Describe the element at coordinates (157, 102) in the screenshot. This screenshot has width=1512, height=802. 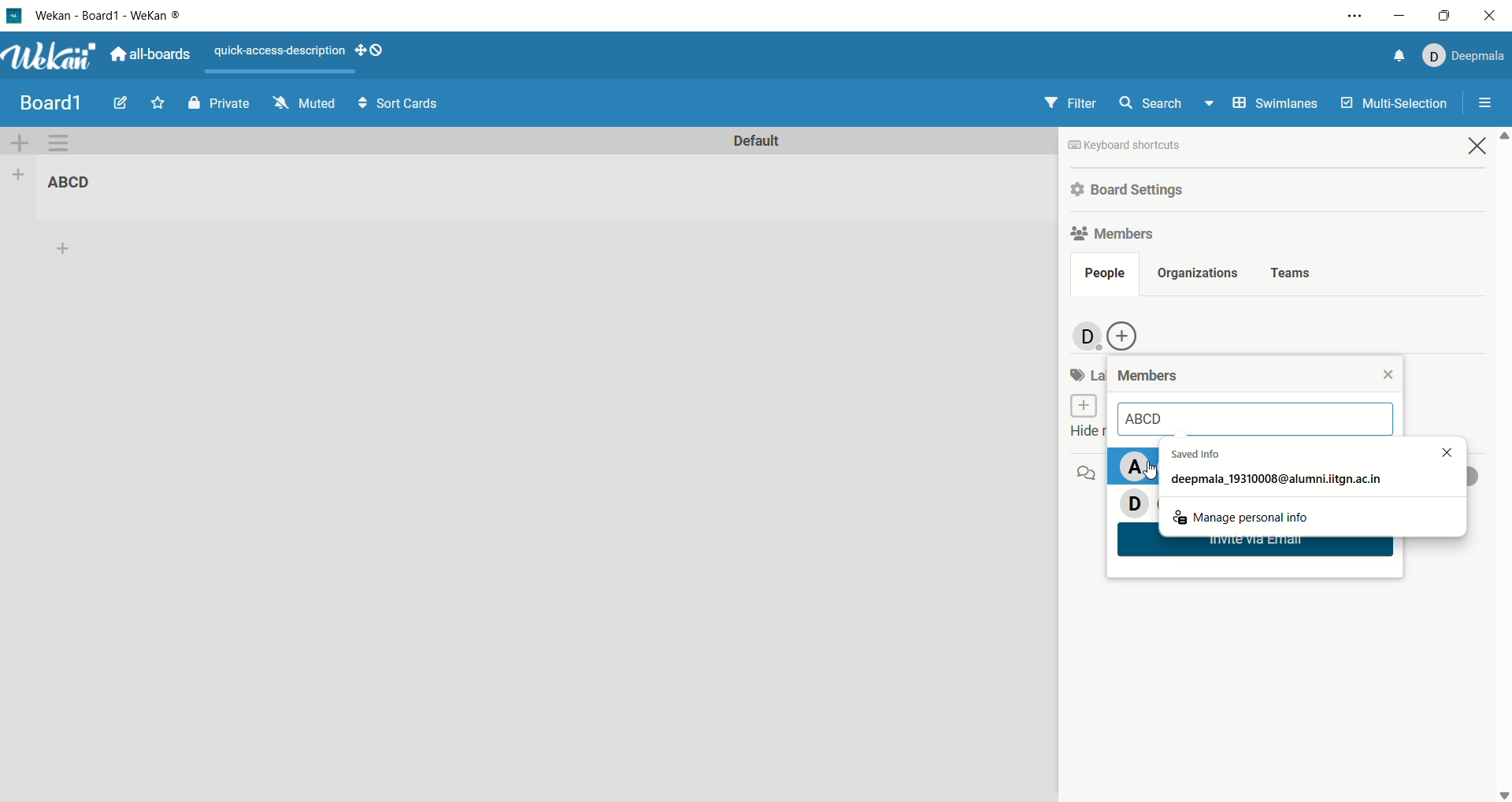
I see `favorite` at that location.